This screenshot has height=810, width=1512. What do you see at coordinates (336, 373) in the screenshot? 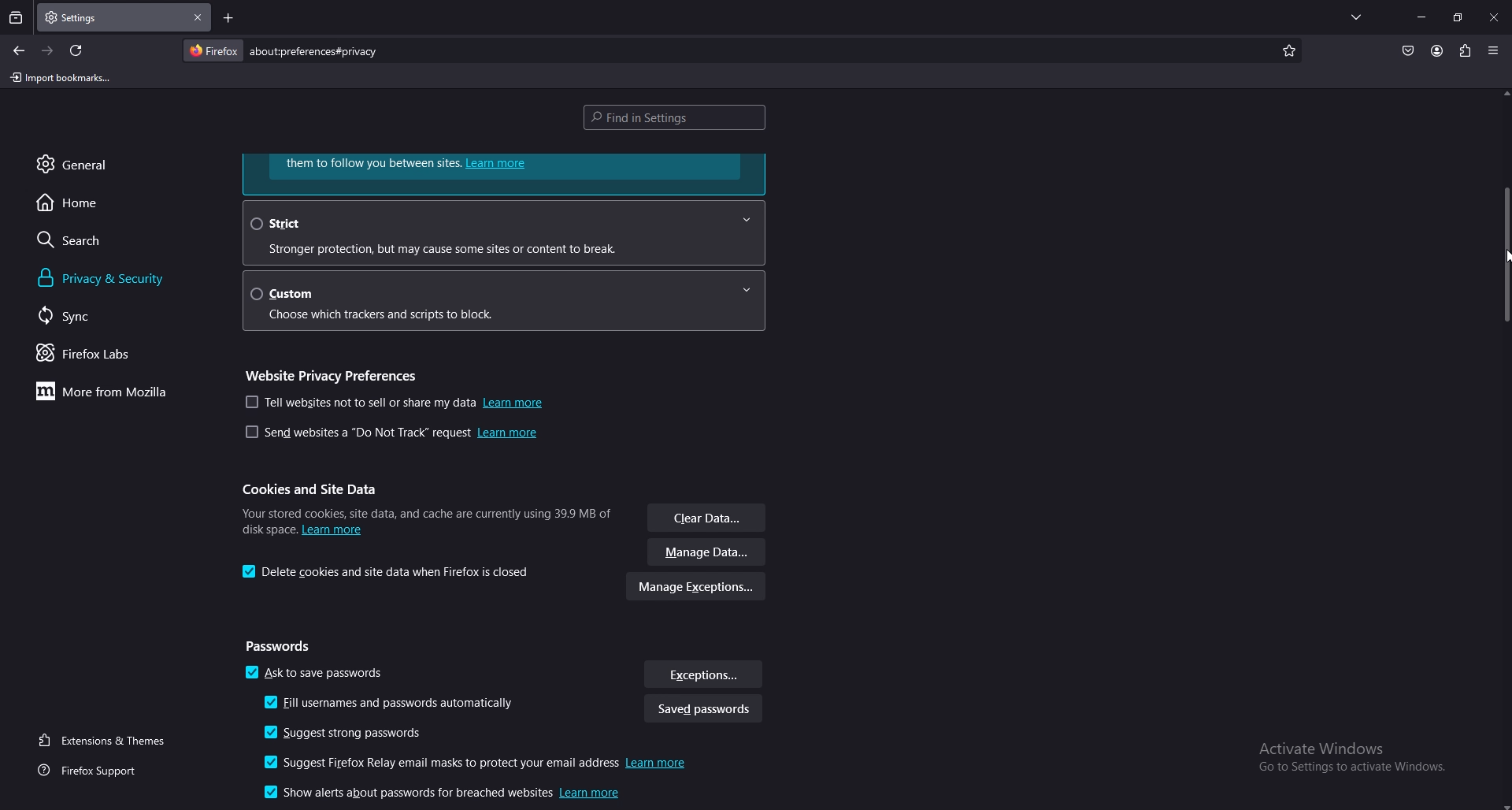
I see `website privacy preference` at bounding box center [336, 373].